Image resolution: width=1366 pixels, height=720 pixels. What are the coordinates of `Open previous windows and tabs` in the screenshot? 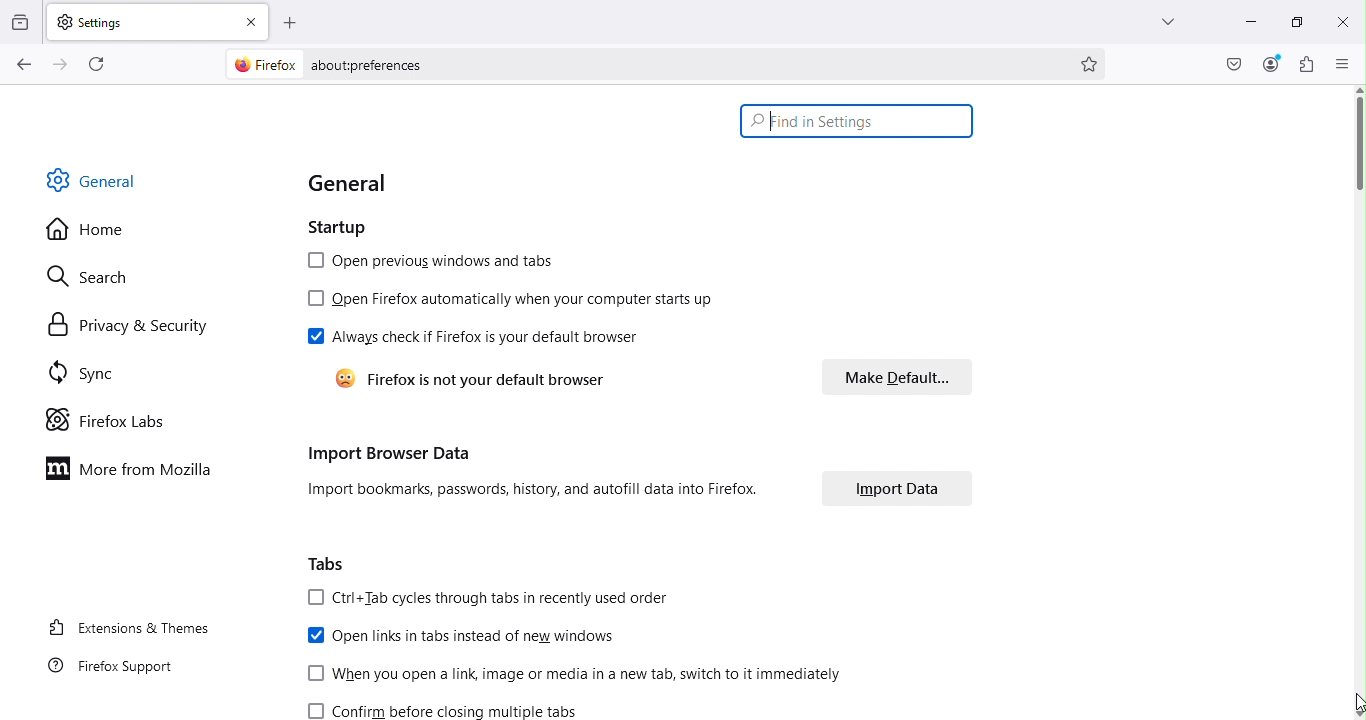 It's located at (432, 263).